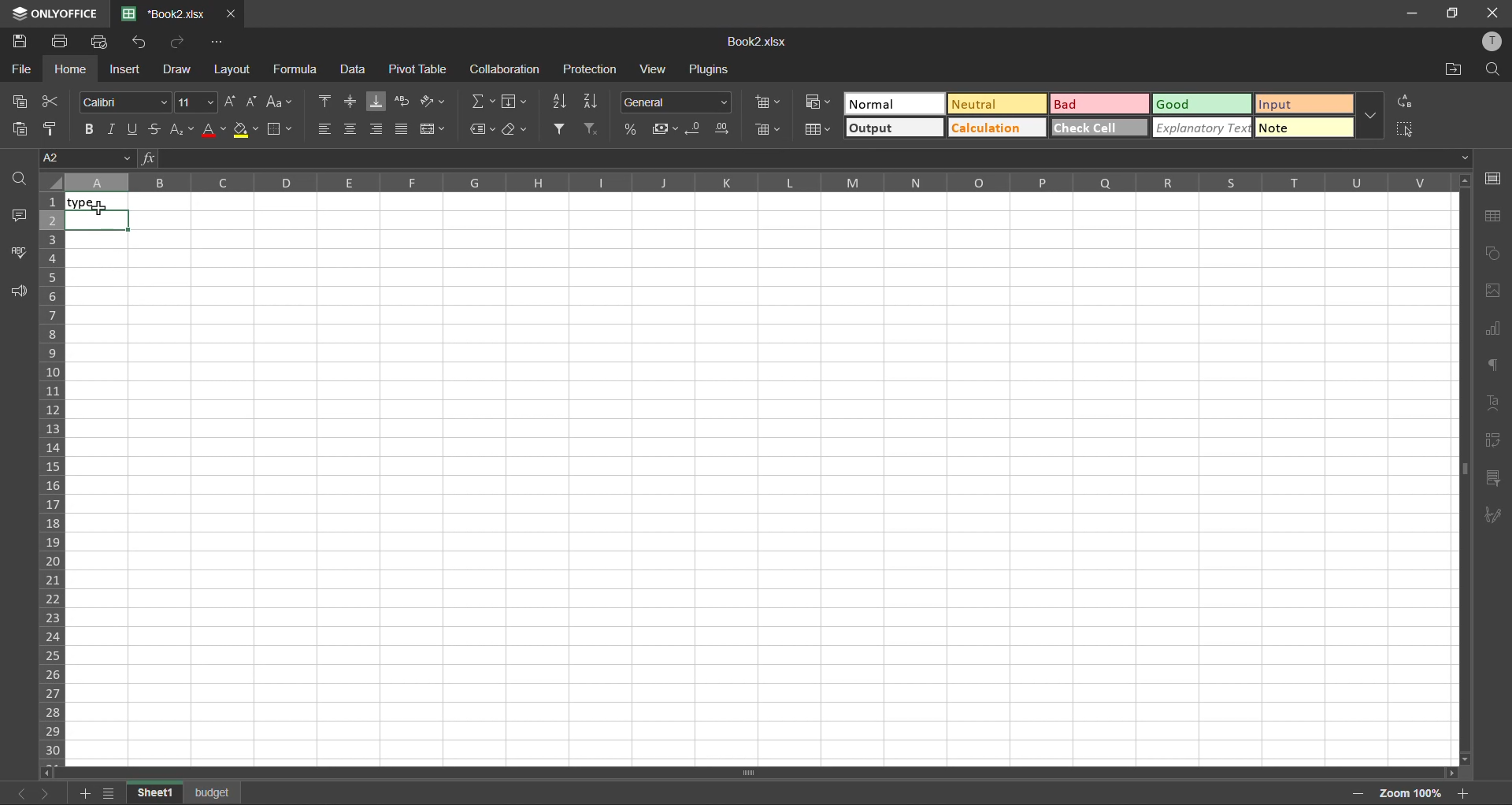  What do you see at coordinates (696, 128) in the screenshot?
I see `decrease decimal` at bounding box center [696, 128].